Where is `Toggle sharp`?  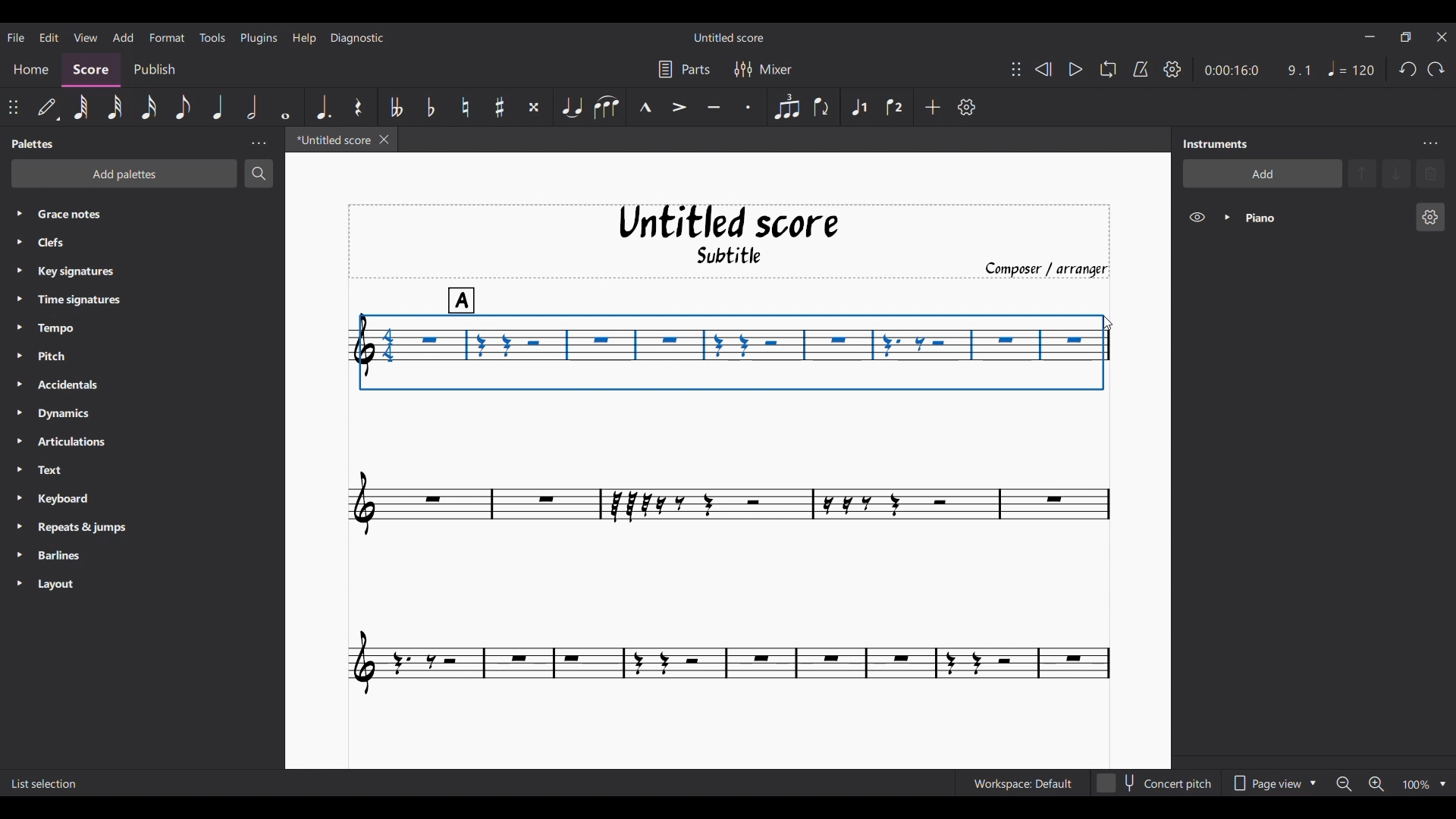
Toggle sharp is located at coordinates (500, 106).